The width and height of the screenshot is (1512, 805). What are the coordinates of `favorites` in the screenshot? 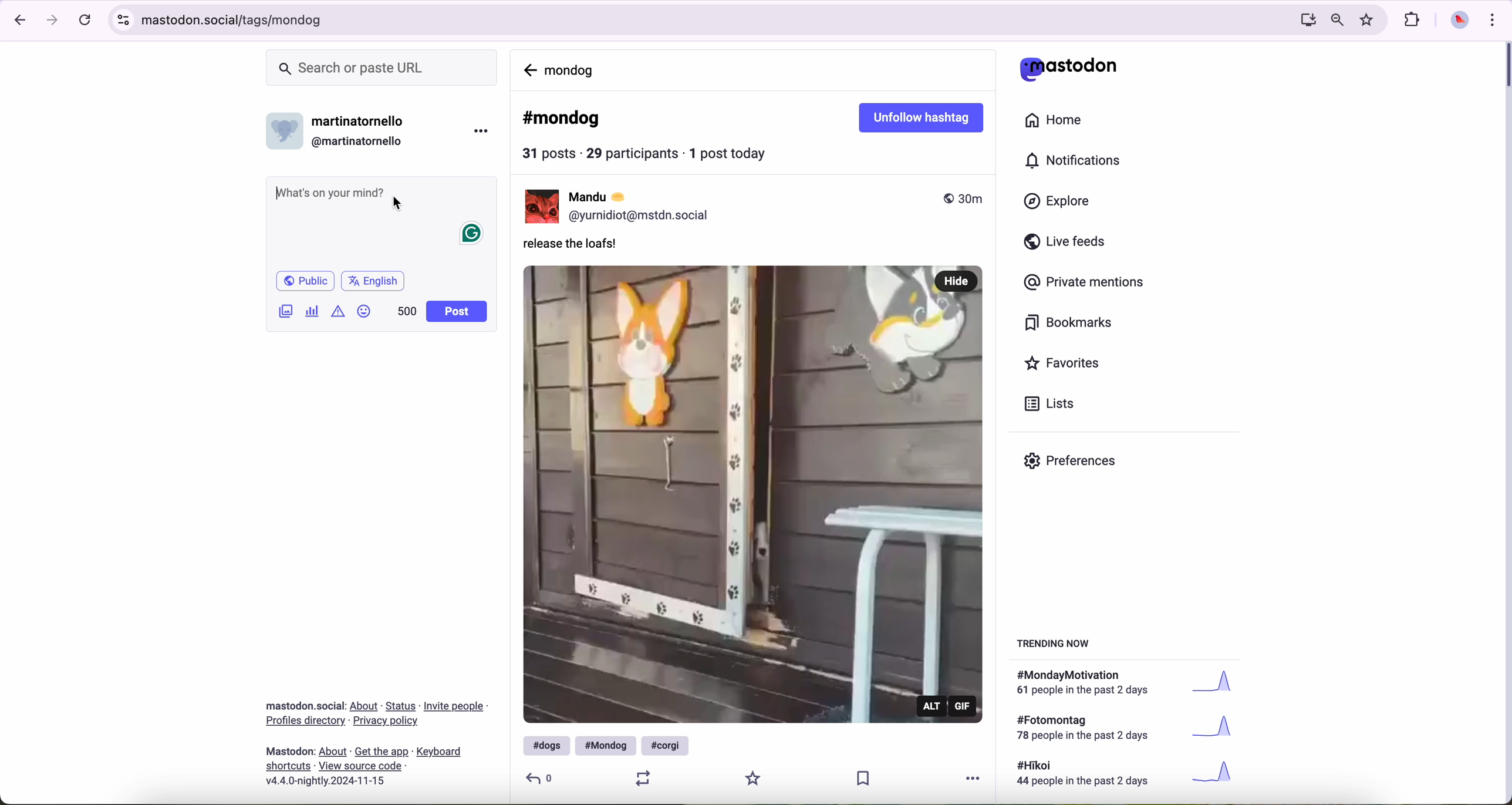 It's located at (1064, 363).